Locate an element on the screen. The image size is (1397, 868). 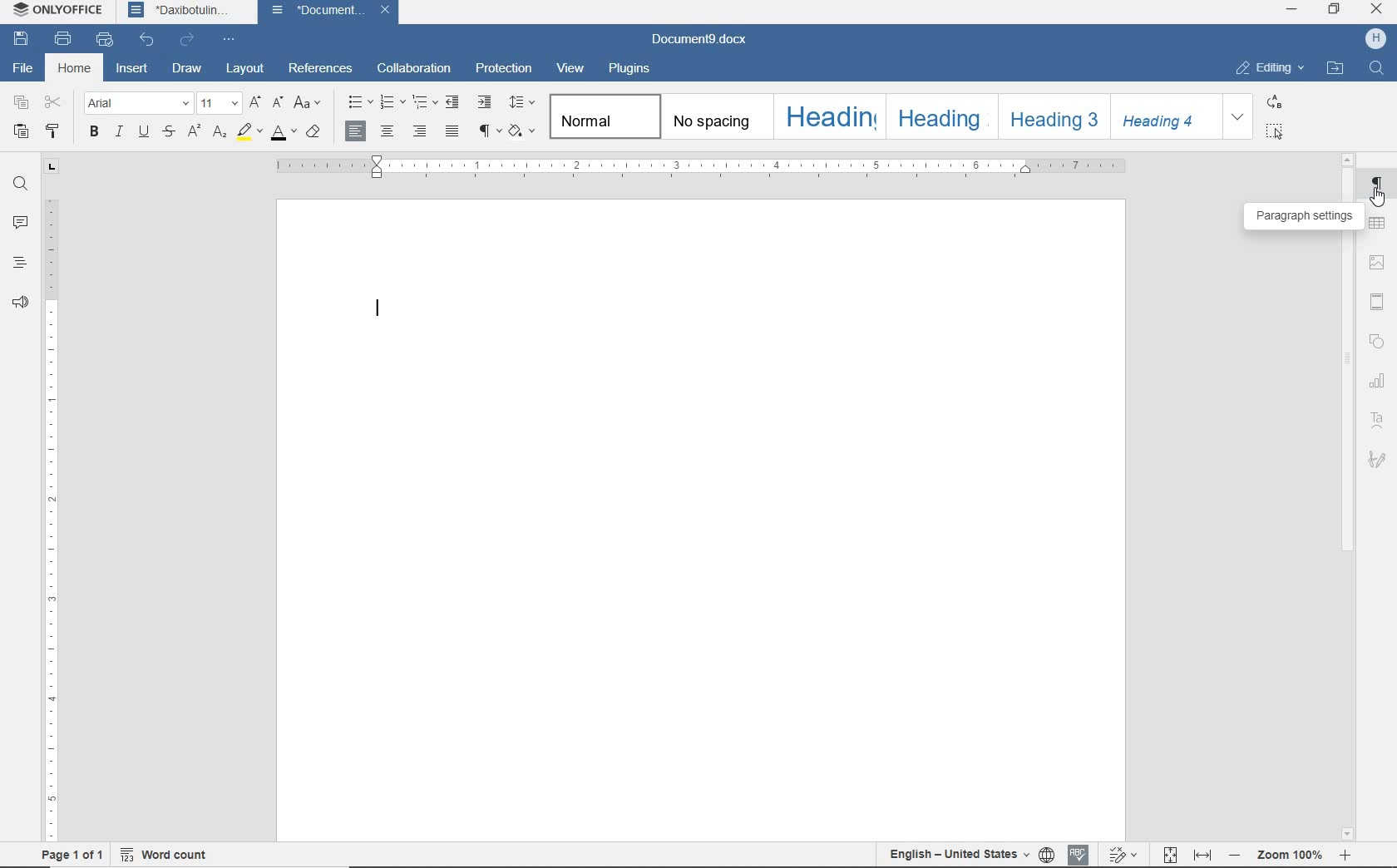
HP is located at coordinates (1375, 39).